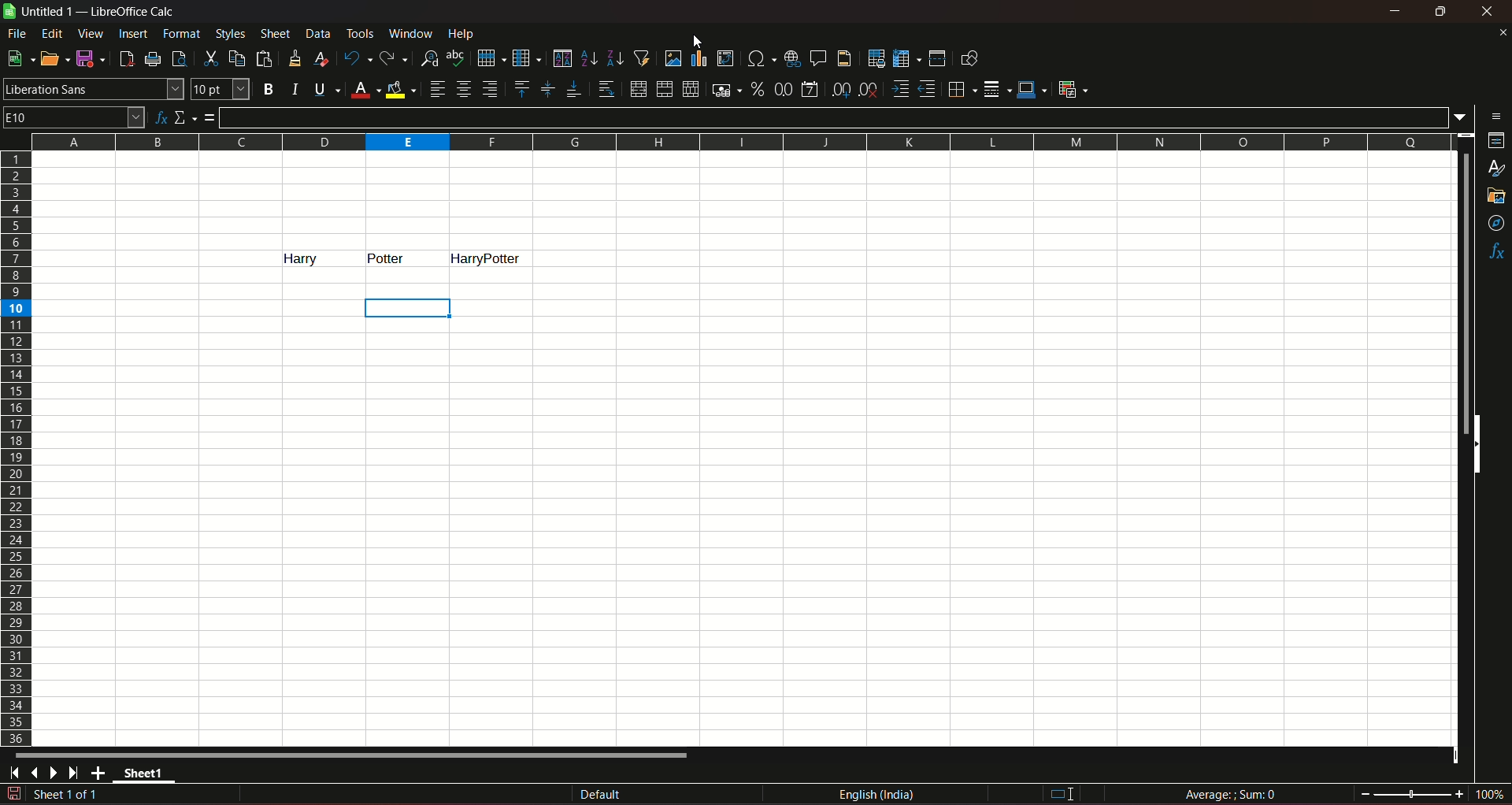 This screenshot has width=1512, height=805. I want to click on row, so click(487, 57).